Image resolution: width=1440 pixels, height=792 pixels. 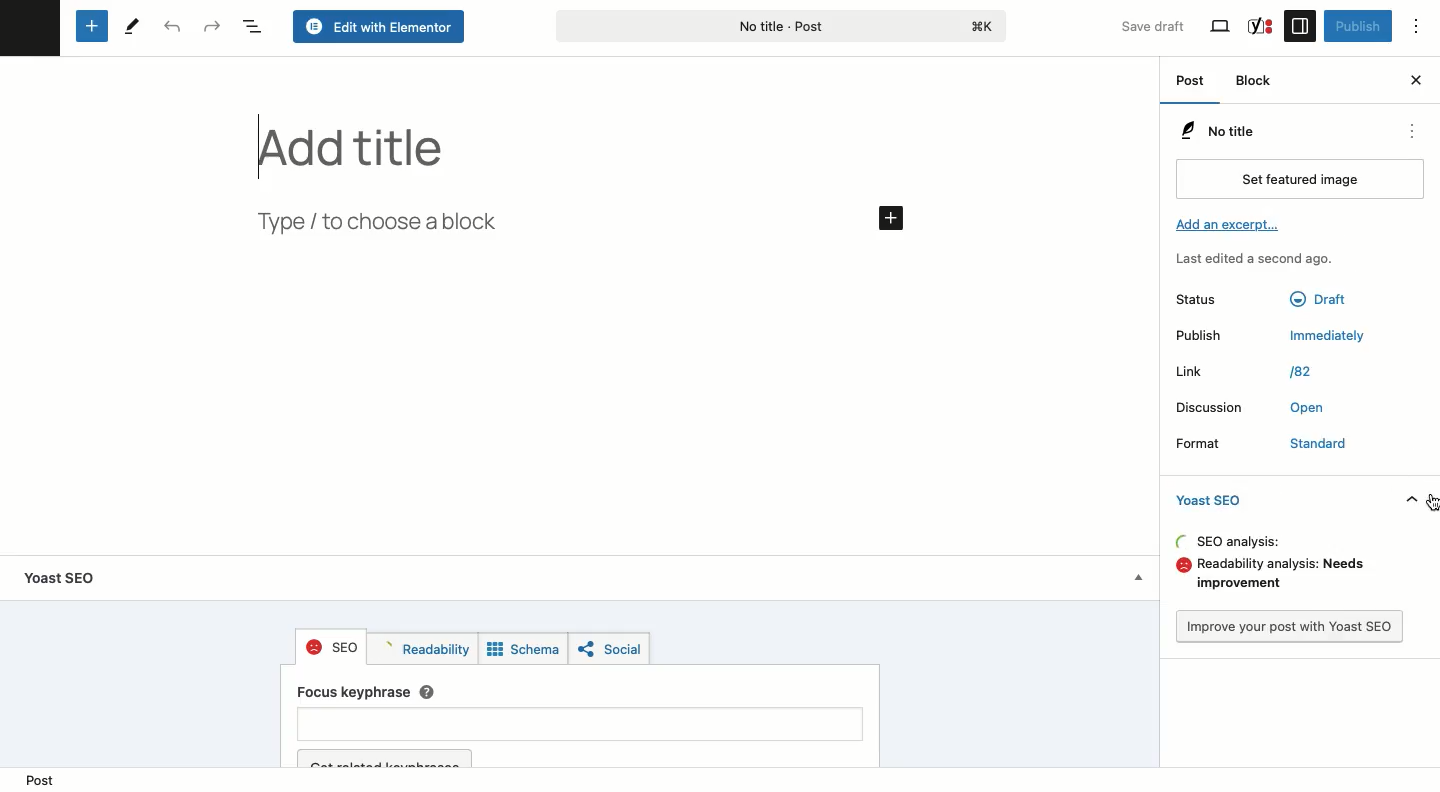 What do you see at coordinates (1289, 626) in the screenshot?
I see `Improve your post with Yoast SEO` at bounding box center [1289, 626].